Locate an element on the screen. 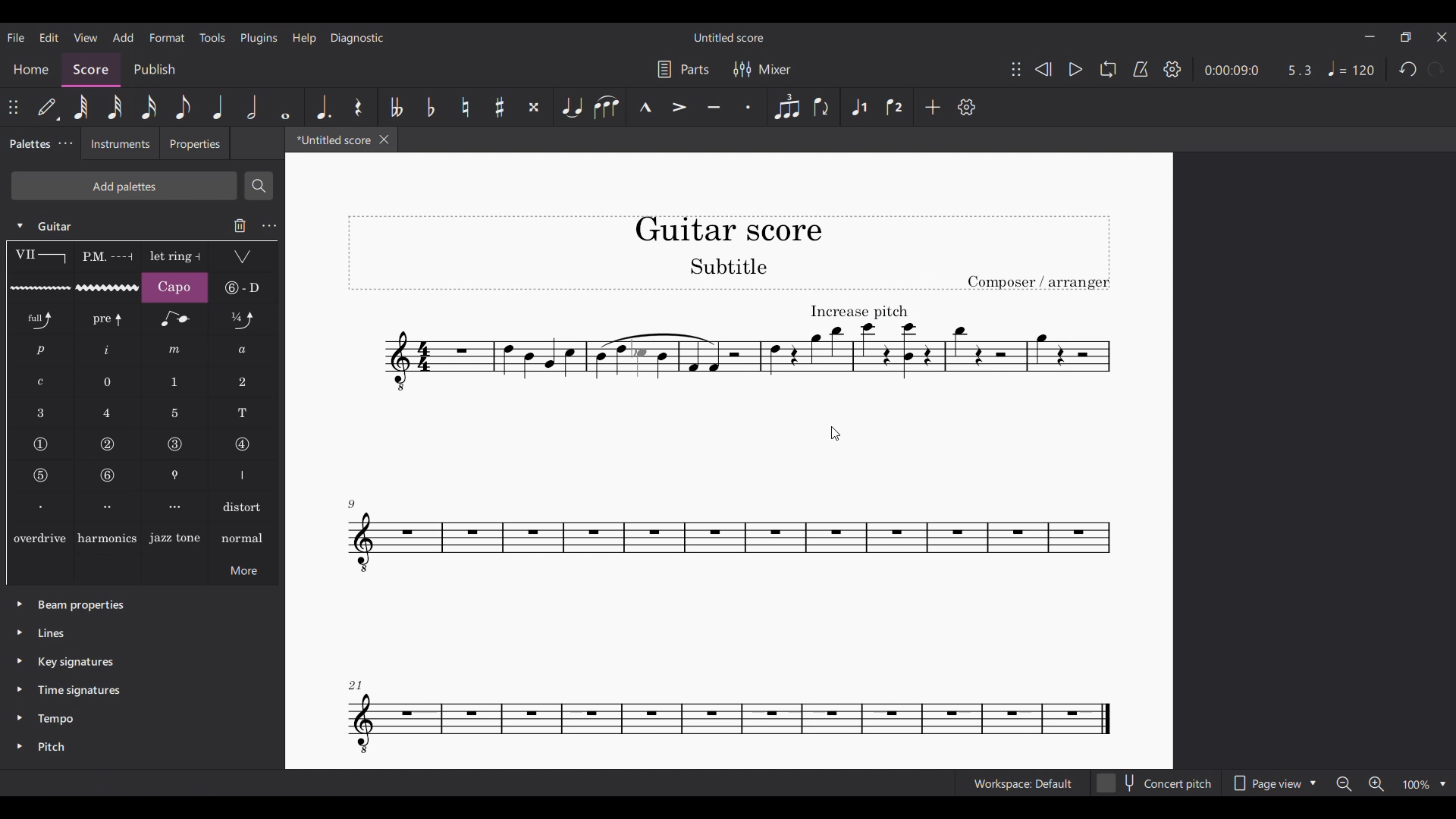 This screenshot has width=1456, height=819. Current score is located at coordinates (730, 225).